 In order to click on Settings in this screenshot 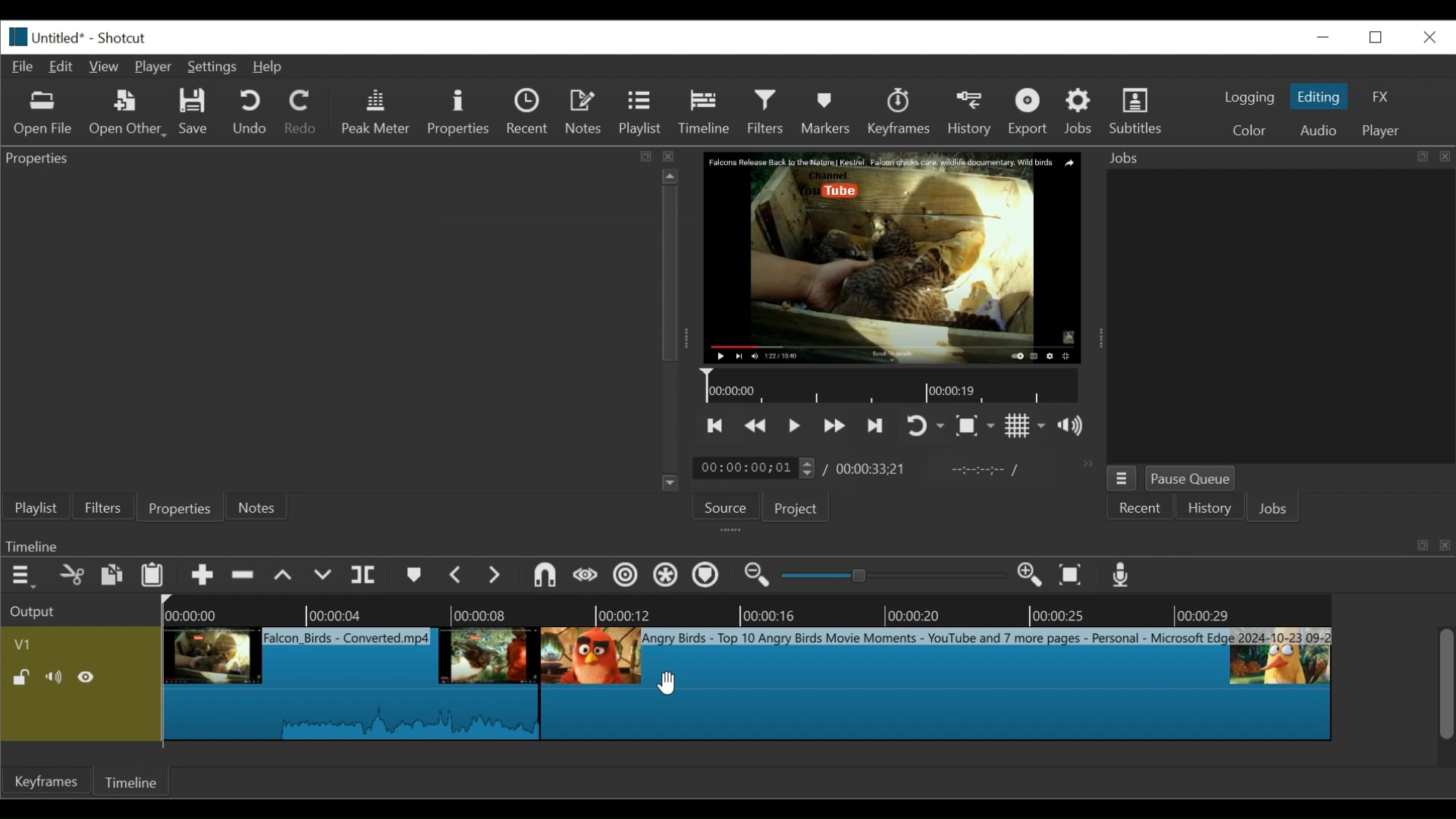, I will do `click(212, 66)`.